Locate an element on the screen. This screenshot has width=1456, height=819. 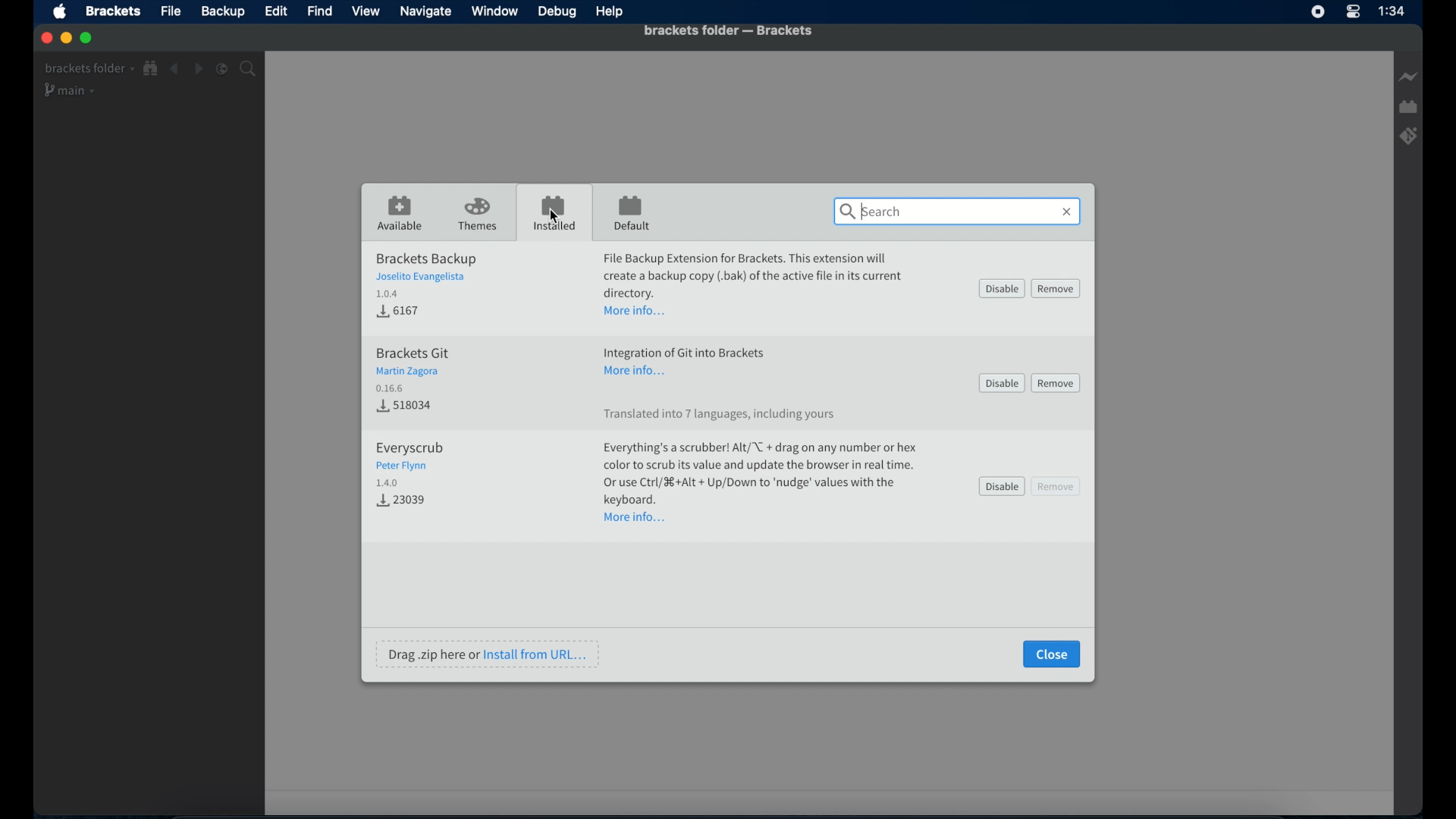
remove is located at coordinates (1056, 384).